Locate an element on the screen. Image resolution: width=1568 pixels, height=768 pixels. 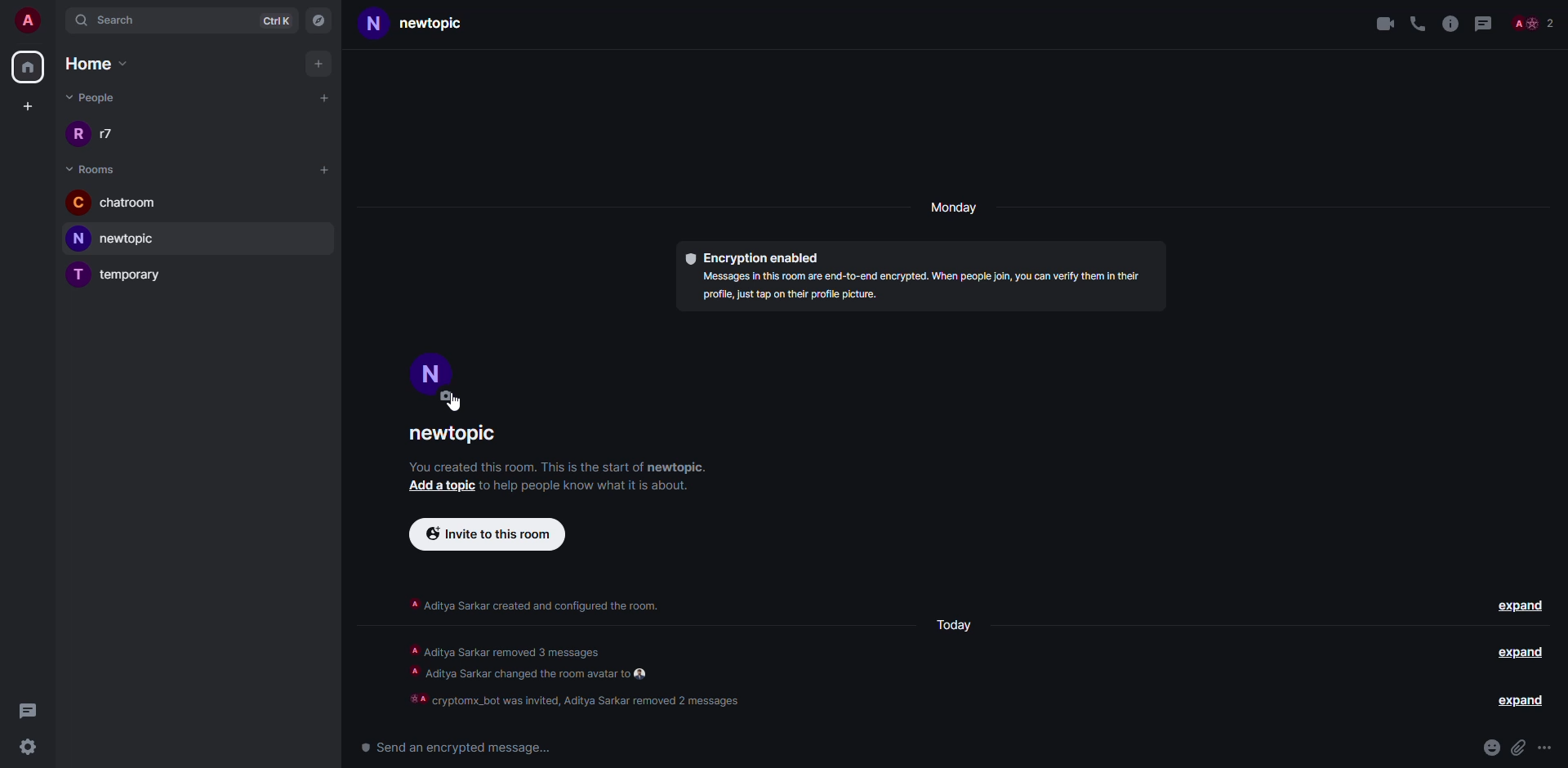
info is located at coordinates (560, 466).